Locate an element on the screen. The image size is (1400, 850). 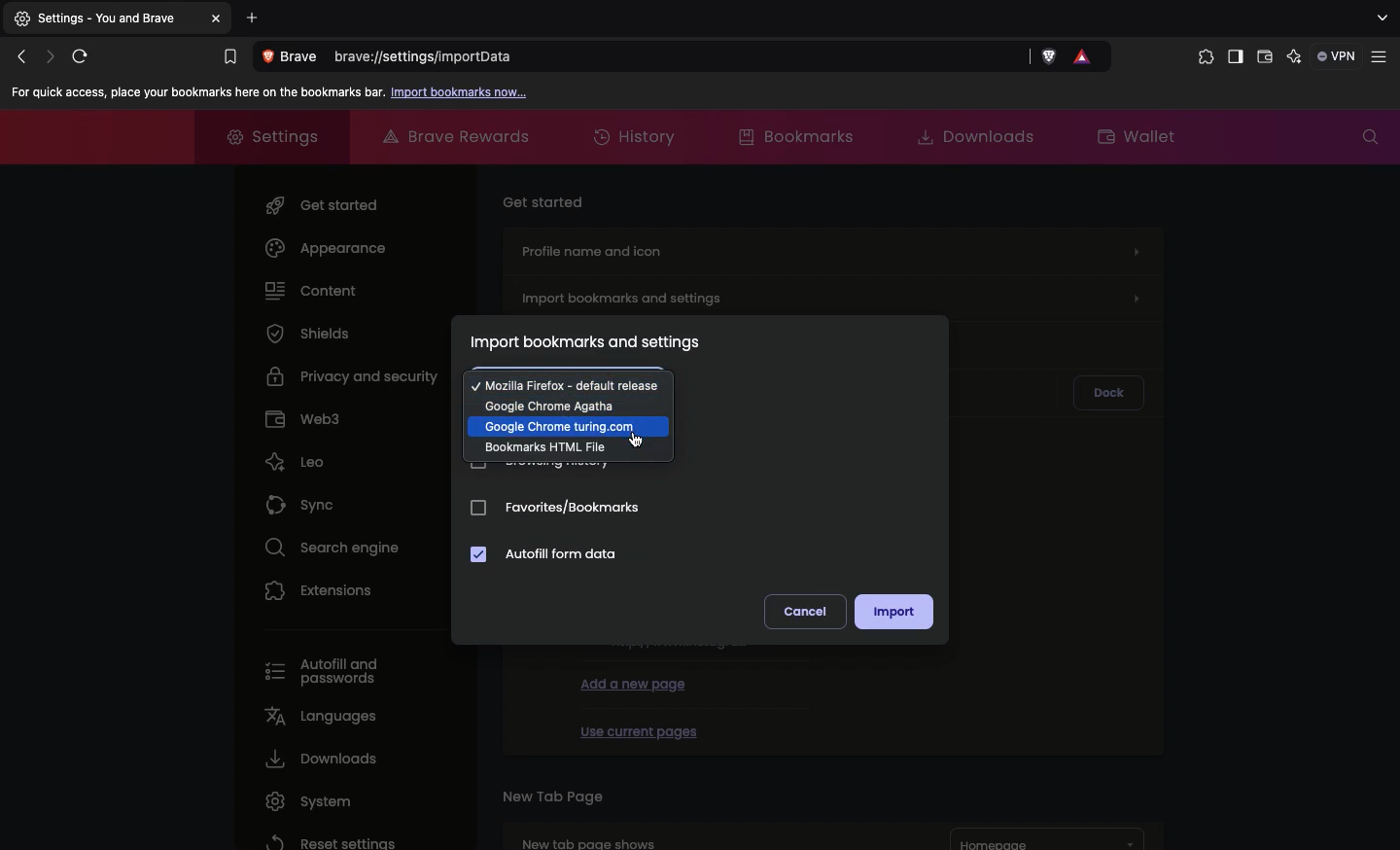
Import bookmarks now is located at coordinates (461, 93).